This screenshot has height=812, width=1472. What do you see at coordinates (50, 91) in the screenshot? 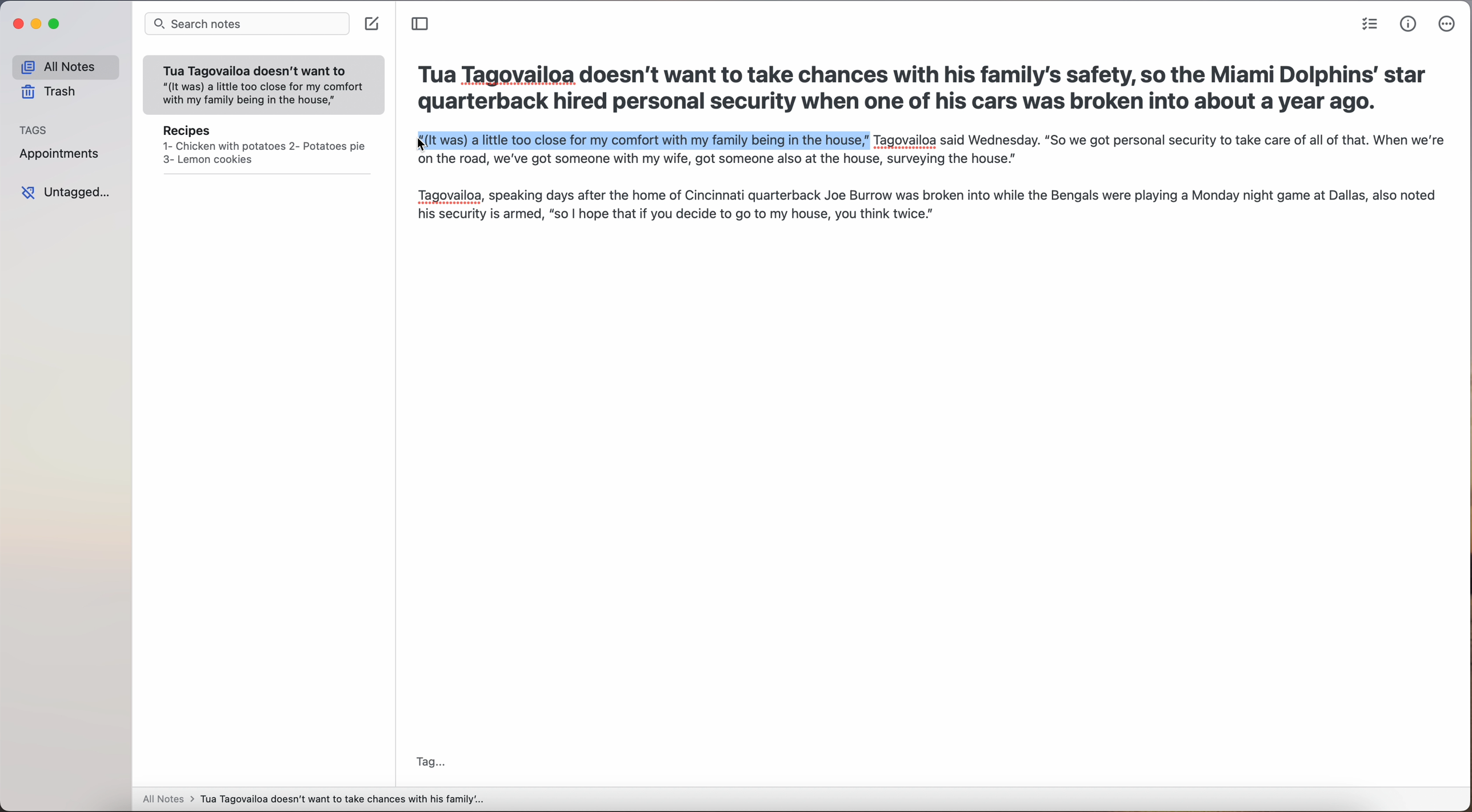
I see `trash` at bounding box center [50, 91].